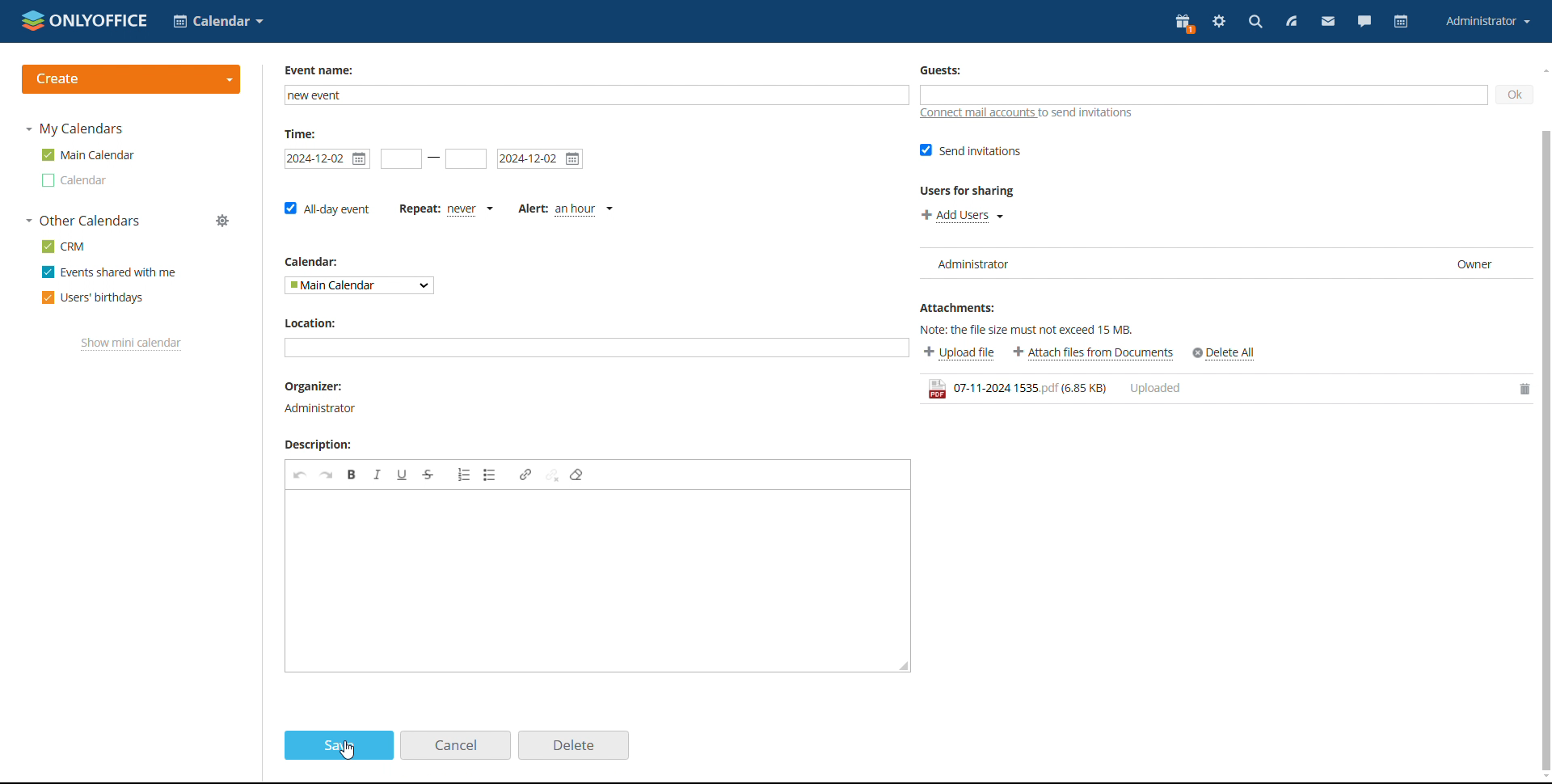 Image resolution: width=1552 pixels, height=784 pixels. Describe the element at coordinates (567, 207) in the screenshot. I see `alert type` at that location.